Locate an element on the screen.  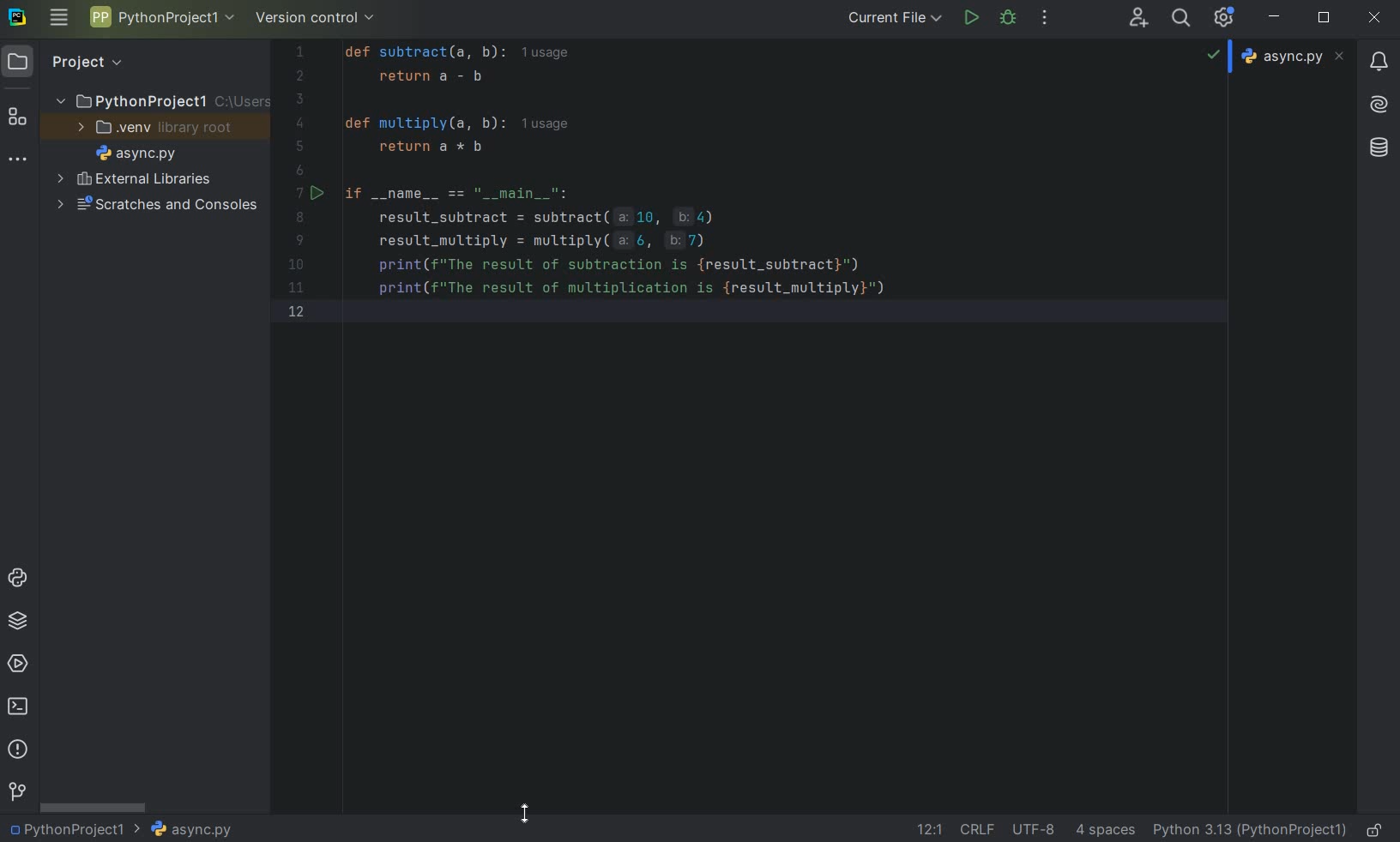
file name is located at coordinates (190, 829).